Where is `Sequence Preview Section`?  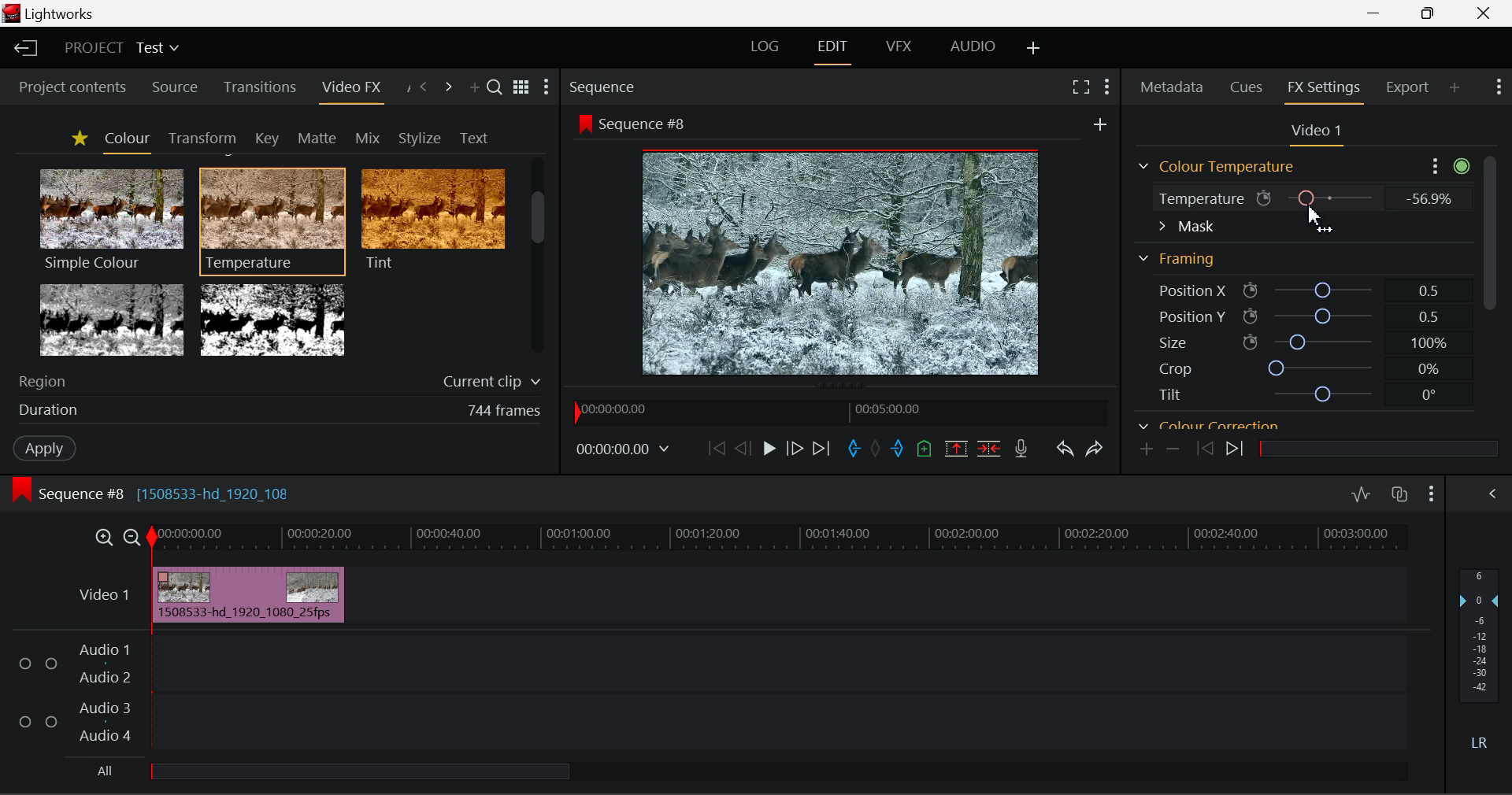
Sequence Preview Section is located at coordinates (605, 89).